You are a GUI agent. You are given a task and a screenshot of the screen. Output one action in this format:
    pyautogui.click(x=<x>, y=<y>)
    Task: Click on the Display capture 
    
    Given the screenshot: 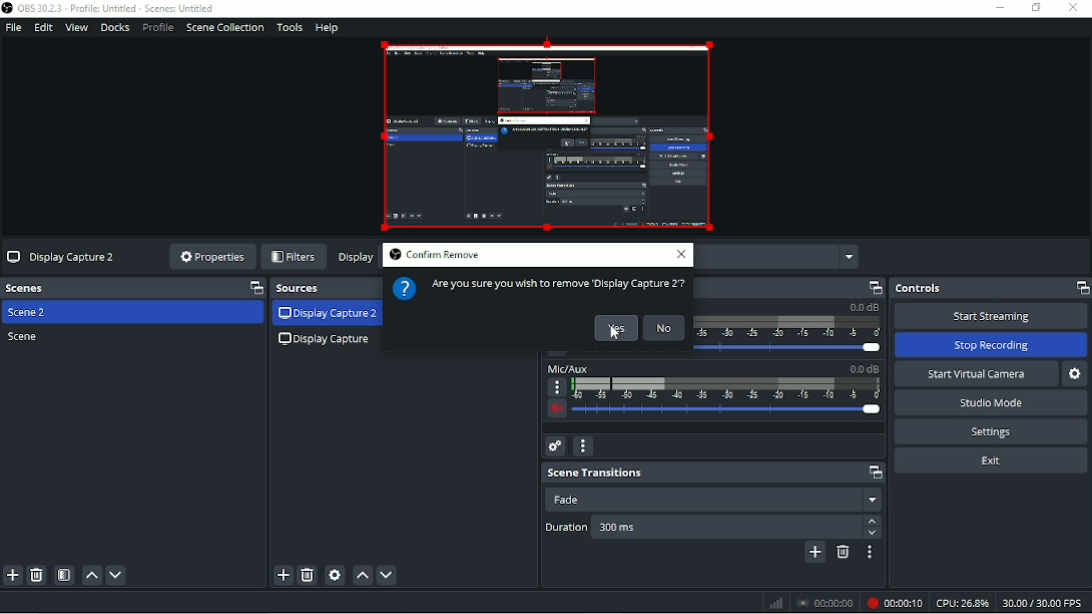 What is the action you would take?
    pyautogui.click(x=327, y=341)
    